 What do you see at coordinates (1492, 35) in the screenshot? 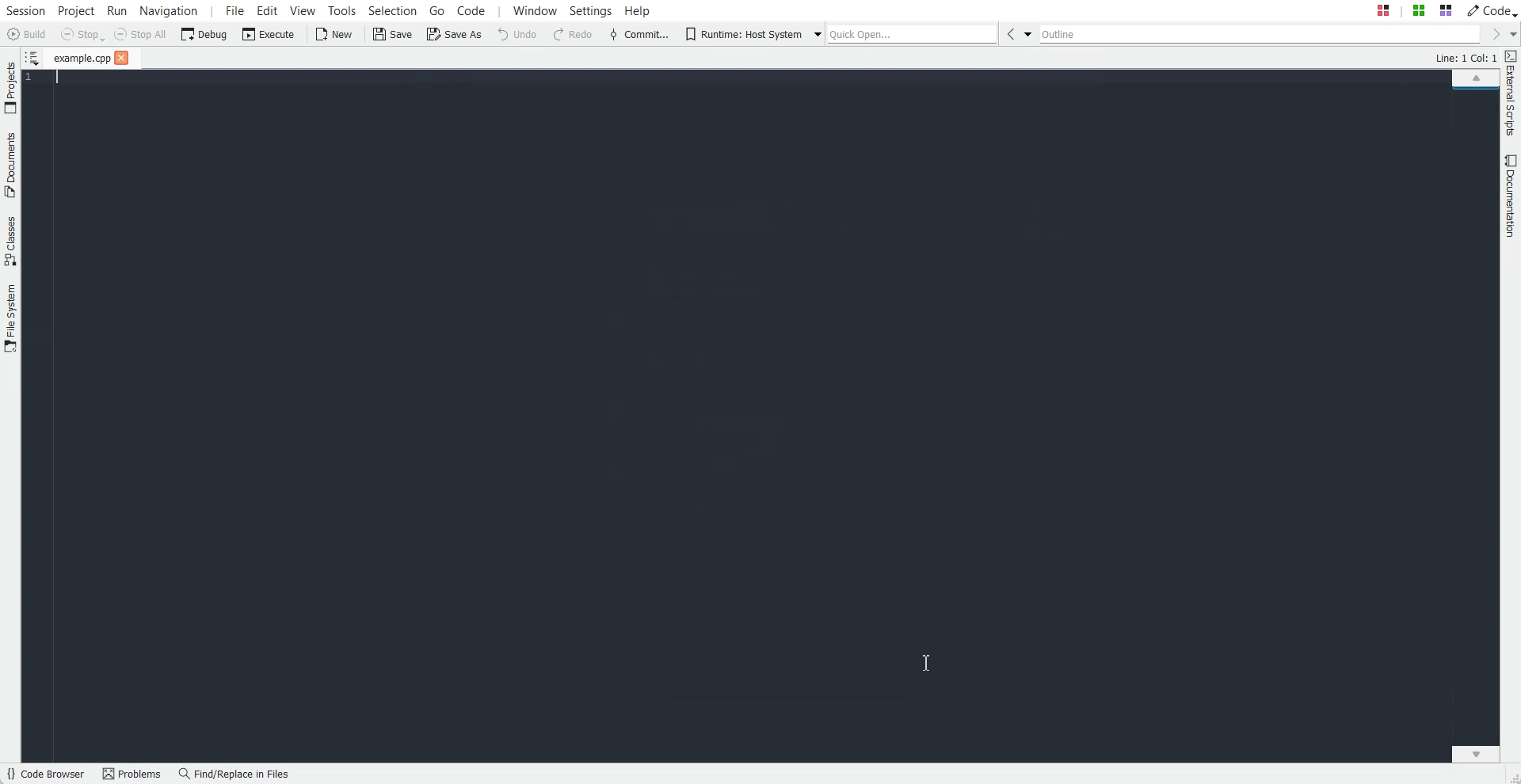
I see `Go Forward` at bounding box center [1492, 35].